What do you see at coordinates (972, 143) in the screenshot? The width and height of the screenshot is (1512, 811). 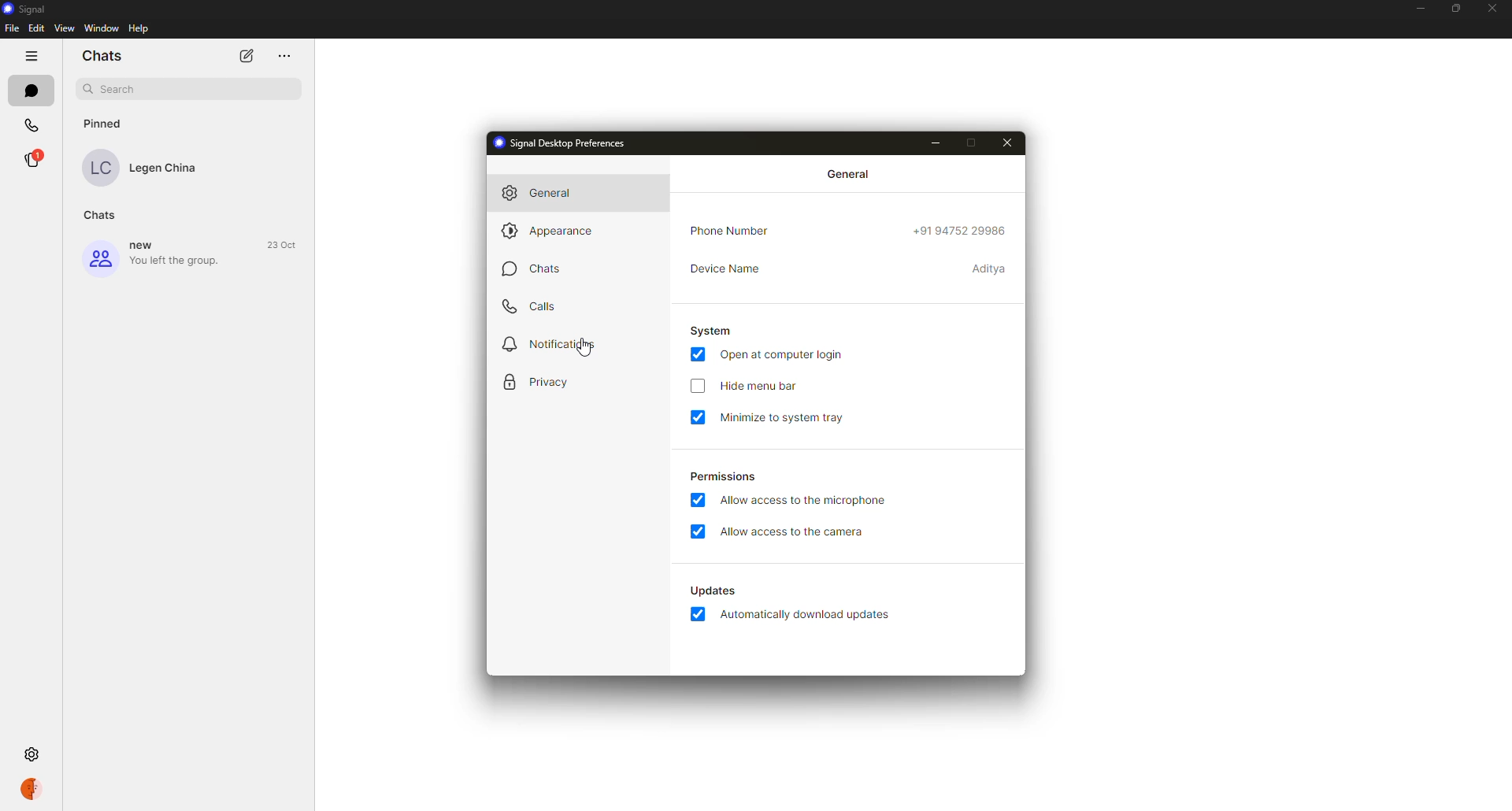 I see `maximize` at bounding box center [972, 143].